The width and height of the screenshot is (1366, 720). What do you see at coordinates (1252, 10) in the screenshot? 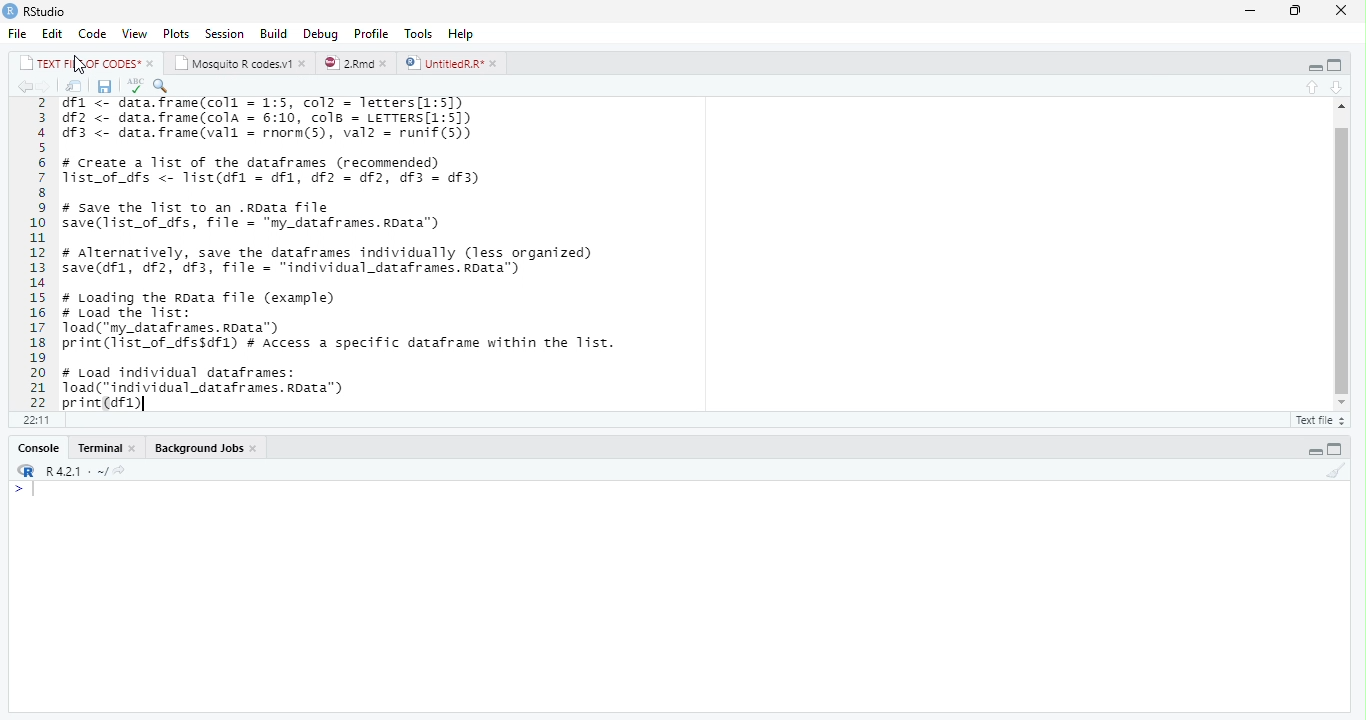
I see `Minimize` at bounding box center [1252, 10].